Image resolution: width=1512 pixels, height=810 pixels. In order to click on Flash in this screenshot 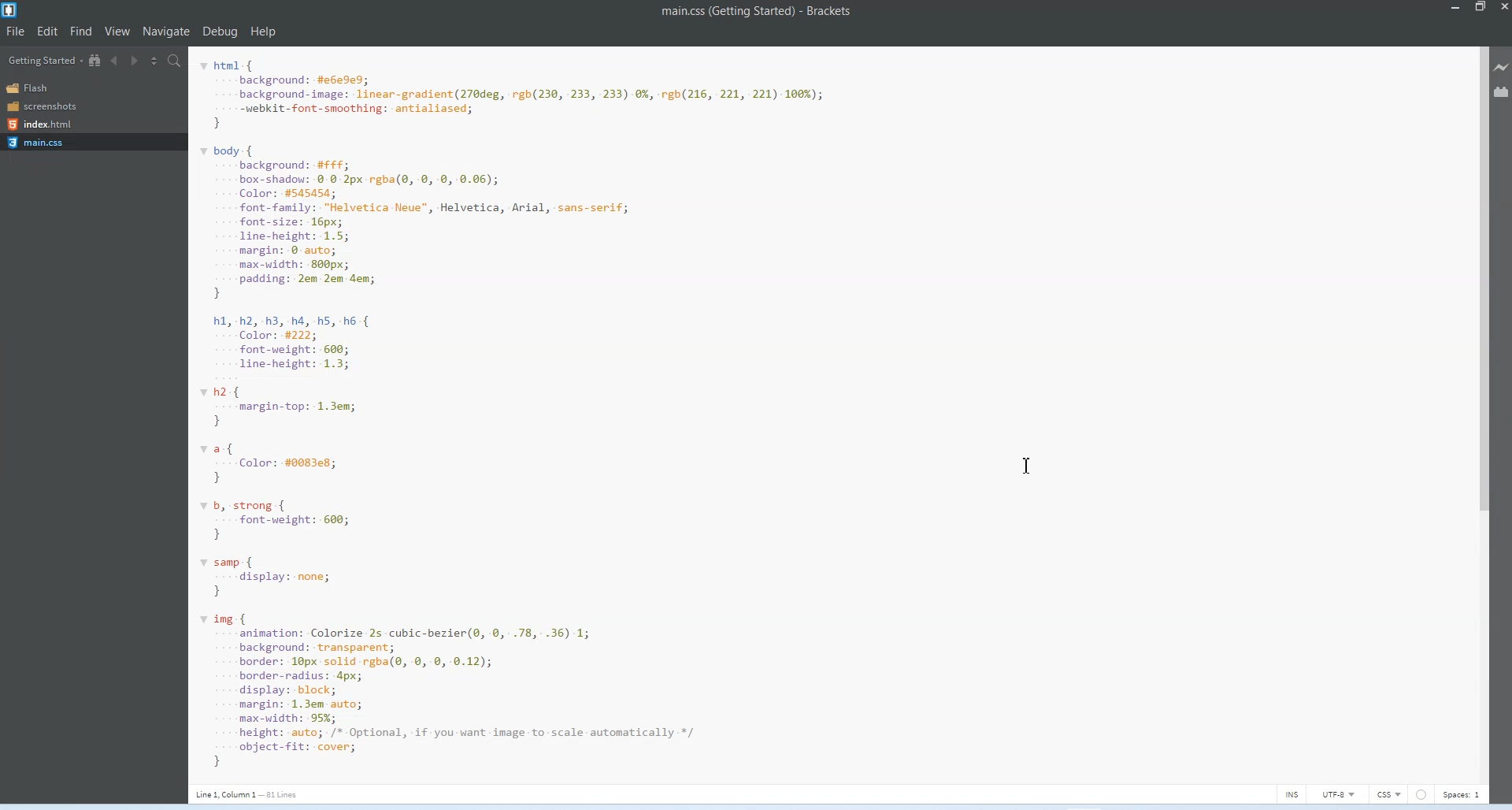, I will do `click(34, 87)`.